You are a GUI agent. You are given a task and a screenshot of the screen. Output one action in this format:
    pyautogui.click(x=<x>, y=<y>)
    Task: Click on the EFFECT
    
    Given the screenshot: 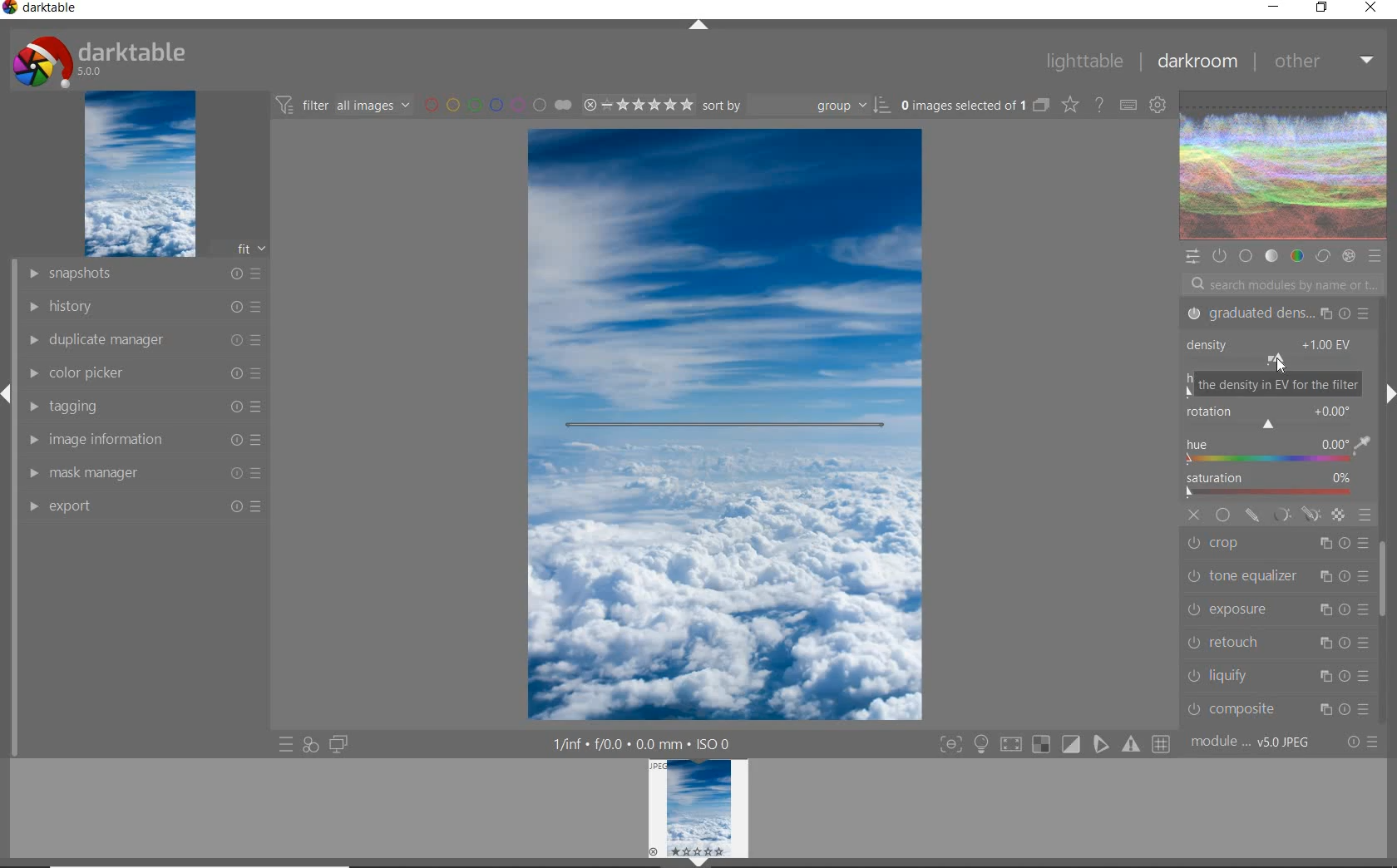 What is the action you would take?
    pyautogui.click(x=1349, y=256)
    